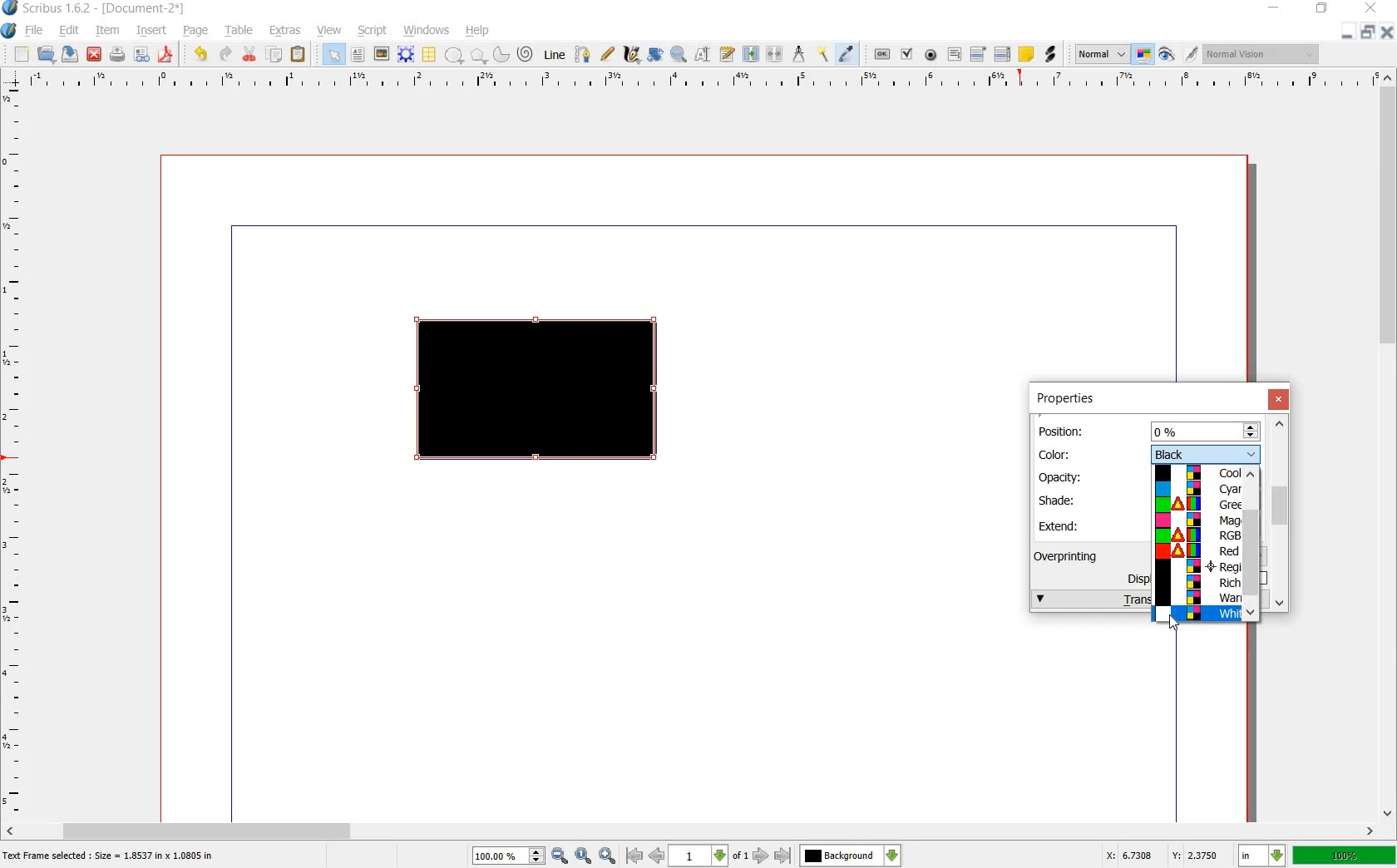 This screenshot has width=1397, height=868. What do you see at coordinates (500, 53) in the screenshot?
I see `arc` at bounding box center [500, 53].